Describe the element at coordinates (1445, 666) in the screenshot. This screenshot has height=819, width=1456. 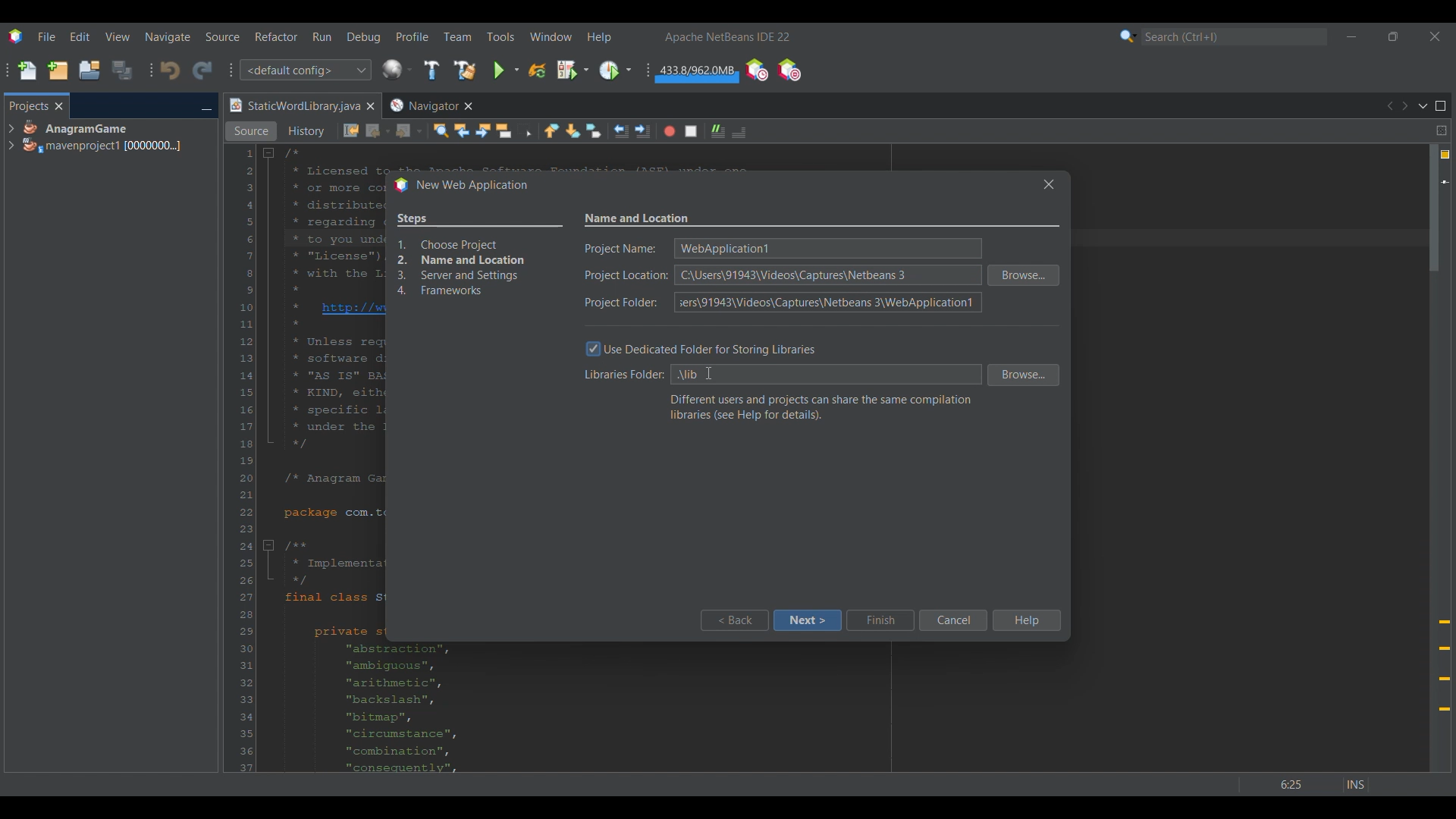
I see `Add @override annotation` at that location.